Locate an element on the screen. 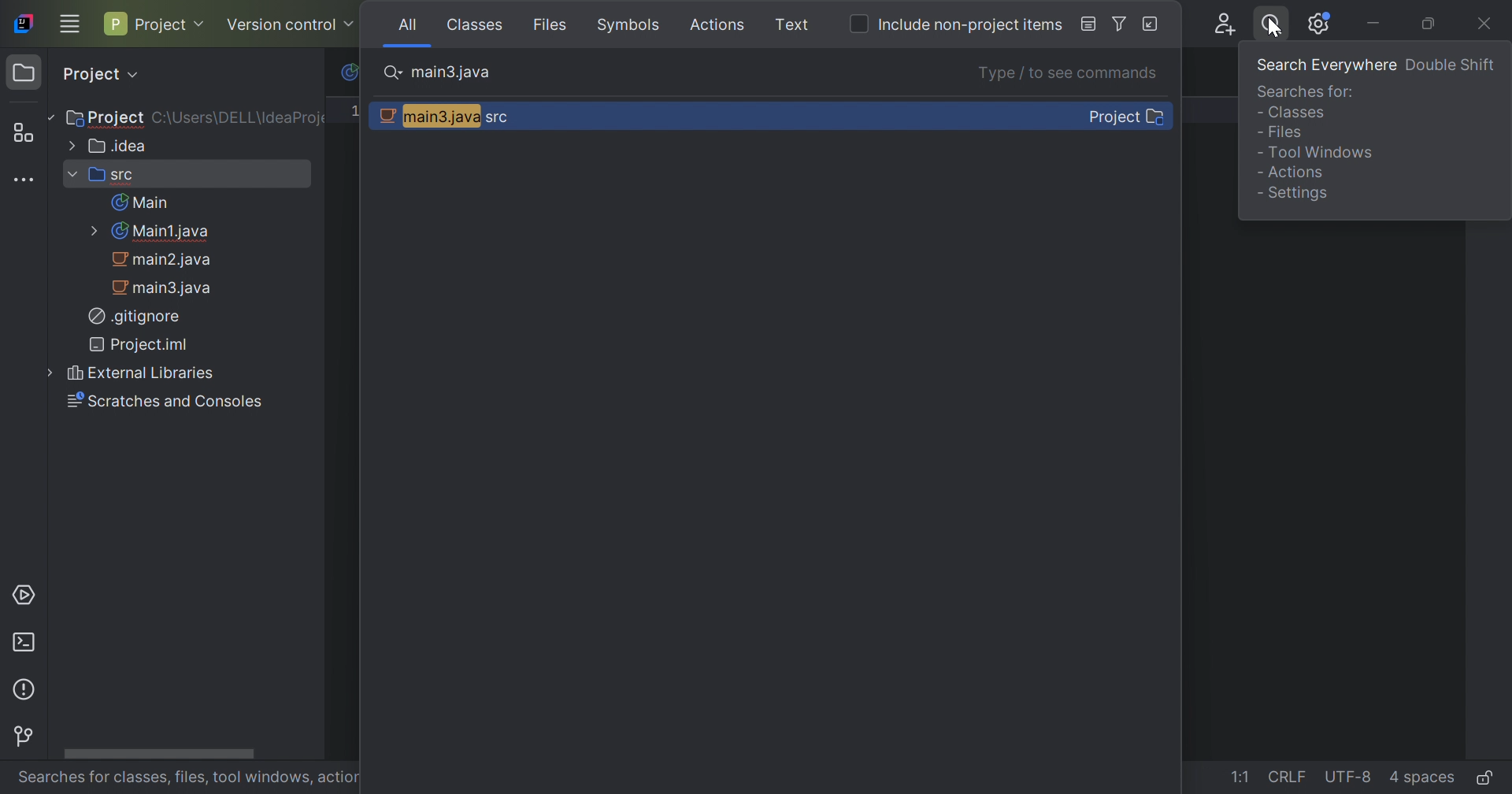  Terminal is located at coordinates (24, 645).